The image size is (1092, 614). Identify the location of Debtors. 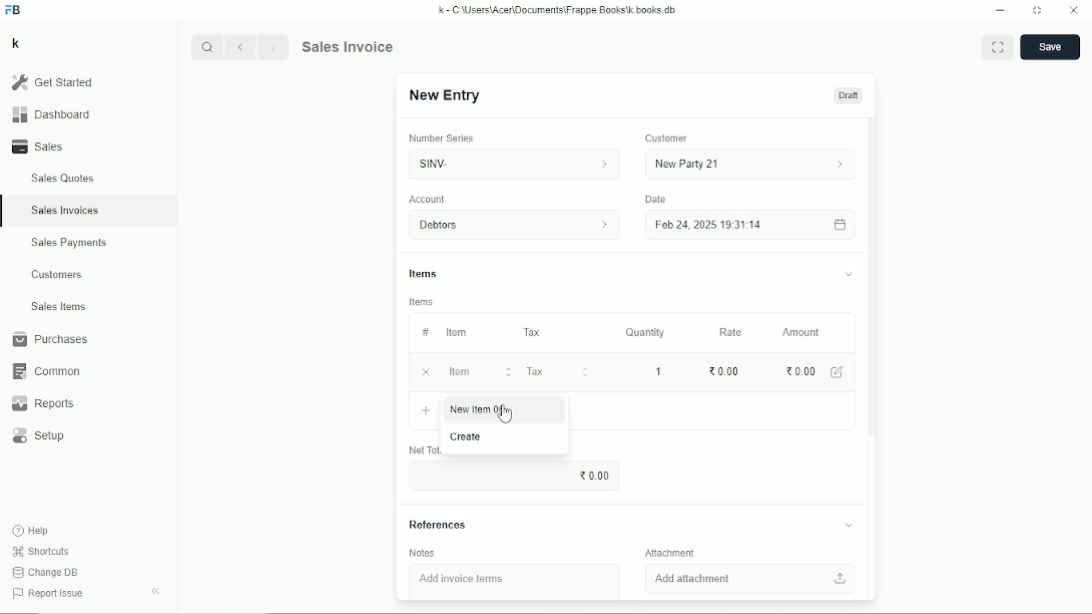
(516, 225).